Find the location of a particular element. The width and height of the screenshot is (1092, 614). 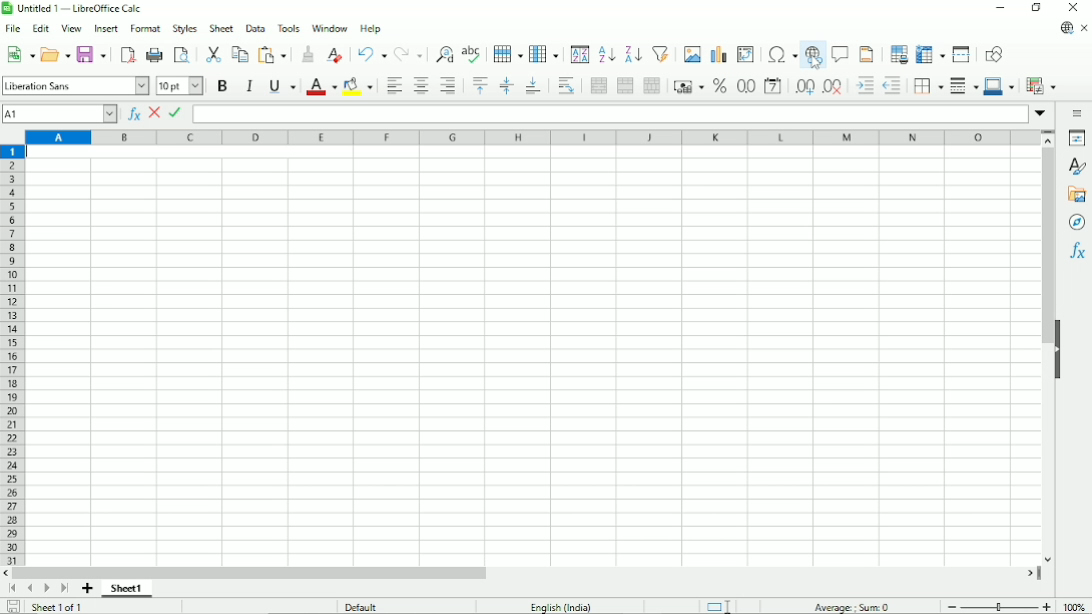

Freeze rows and columns is located at coordinates (930, 55).